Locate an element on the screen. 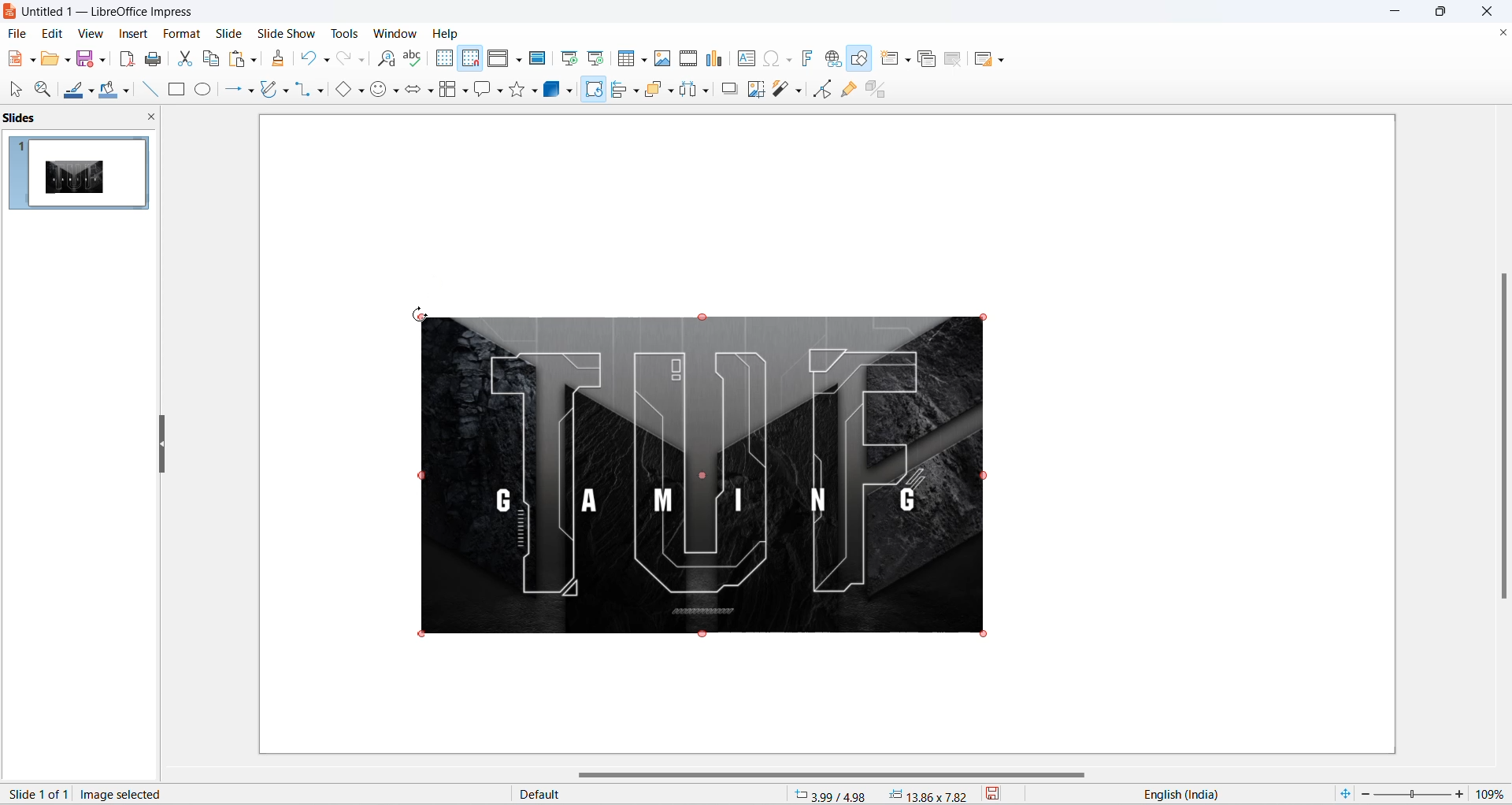 The height and width of the screenshot is (805, 1512). minimize is located at coordinates (1397, 12).